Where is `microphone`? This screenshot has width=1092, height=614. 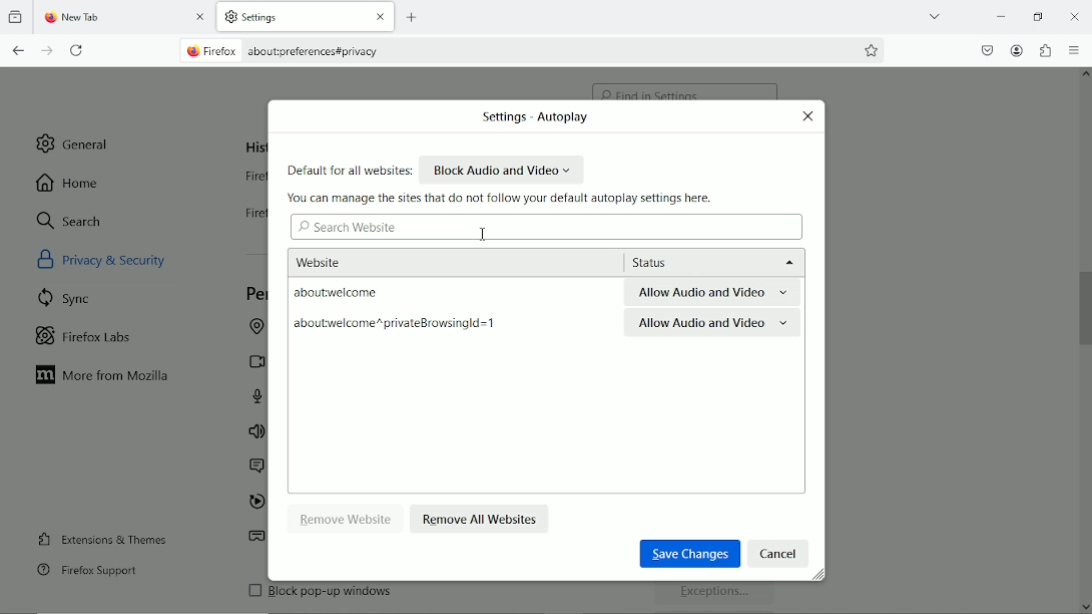 microphone is located at coordinates (260, 396).